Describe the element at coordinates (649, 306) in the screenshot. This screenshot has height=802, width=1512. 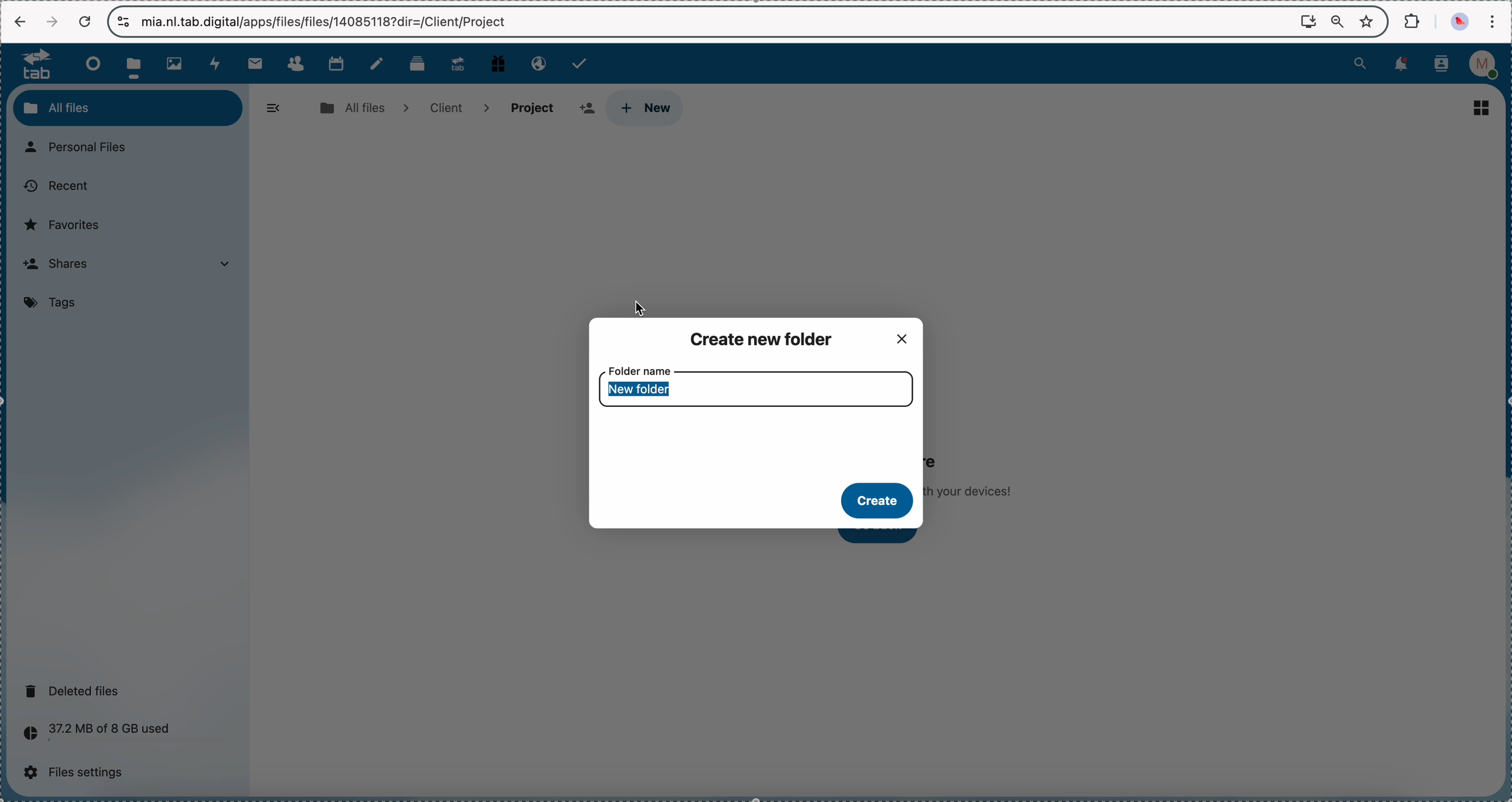
I see `cursor` at that location.